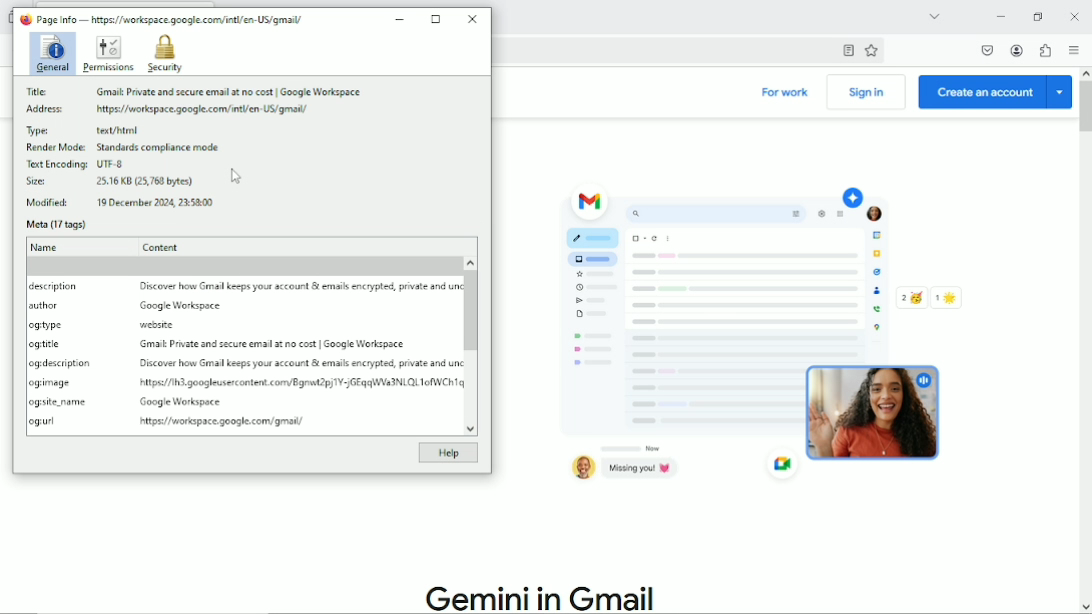 This screenshot has width=1092, height=614. Describe the element at coordinates (42, 423) in the screenshot. I see `og:url` at that location.